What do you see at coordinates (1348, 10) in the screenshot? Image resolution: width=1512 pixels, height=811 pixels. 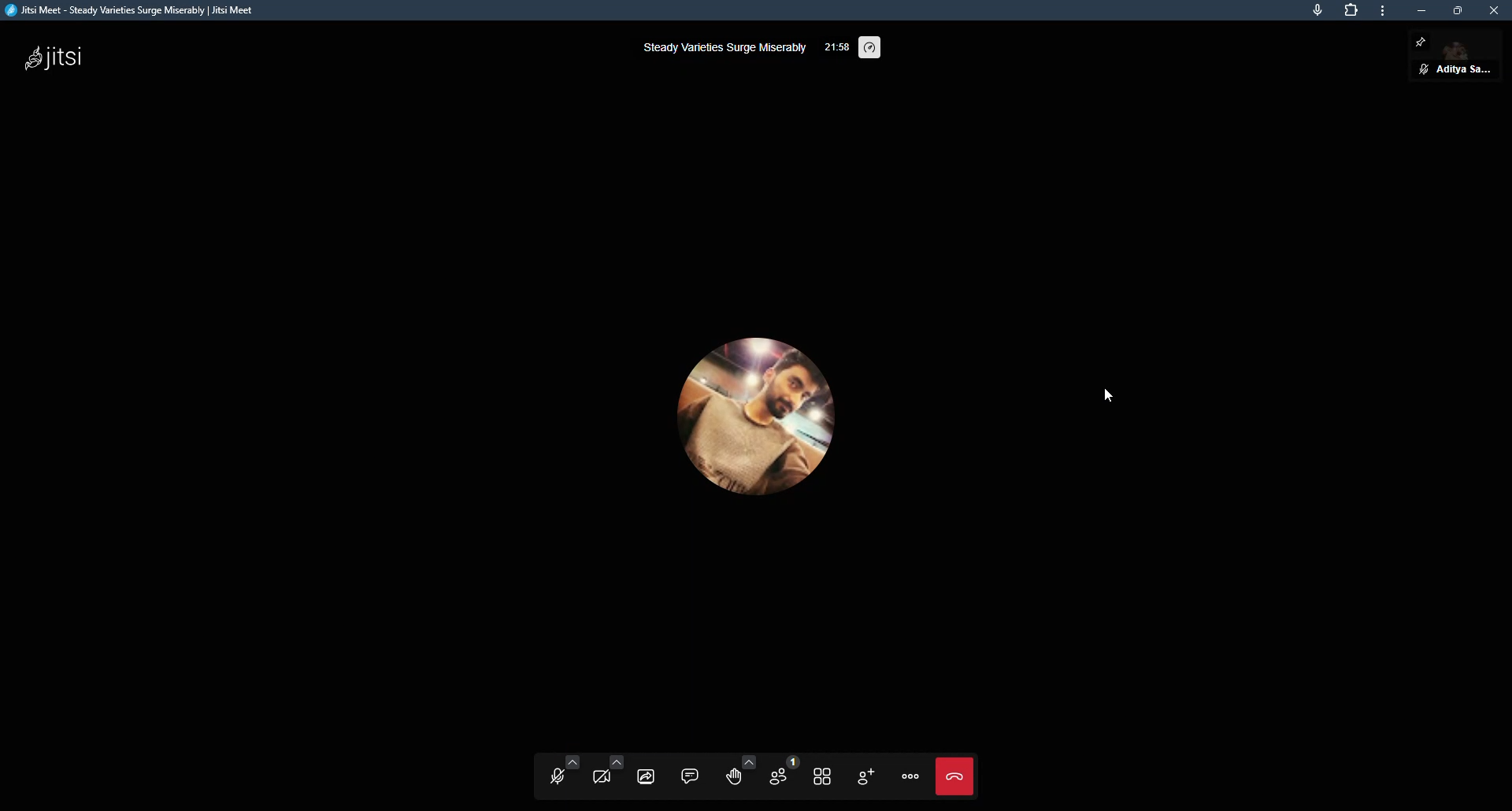 I see `extensions` at bounding box center [1348, 10].